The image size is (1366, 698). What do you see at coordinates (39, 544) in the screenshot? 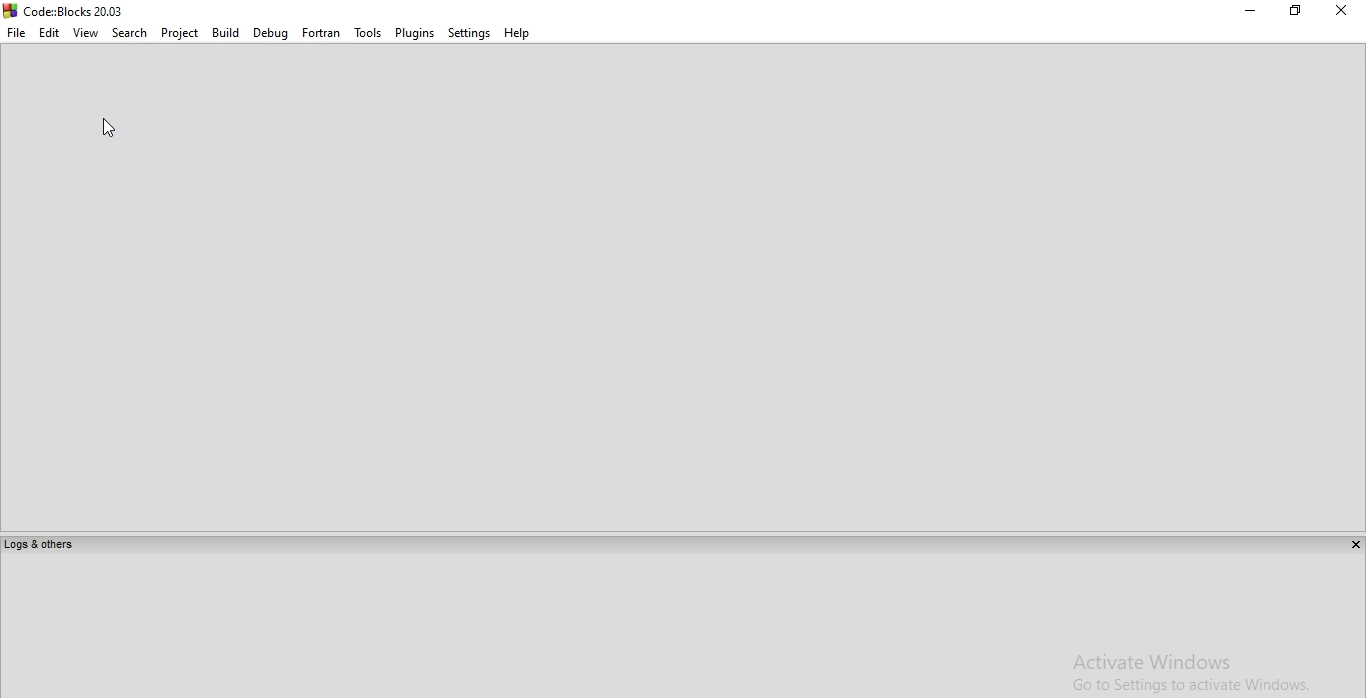
I see `Logs and others` at bounding box center [39, 544].